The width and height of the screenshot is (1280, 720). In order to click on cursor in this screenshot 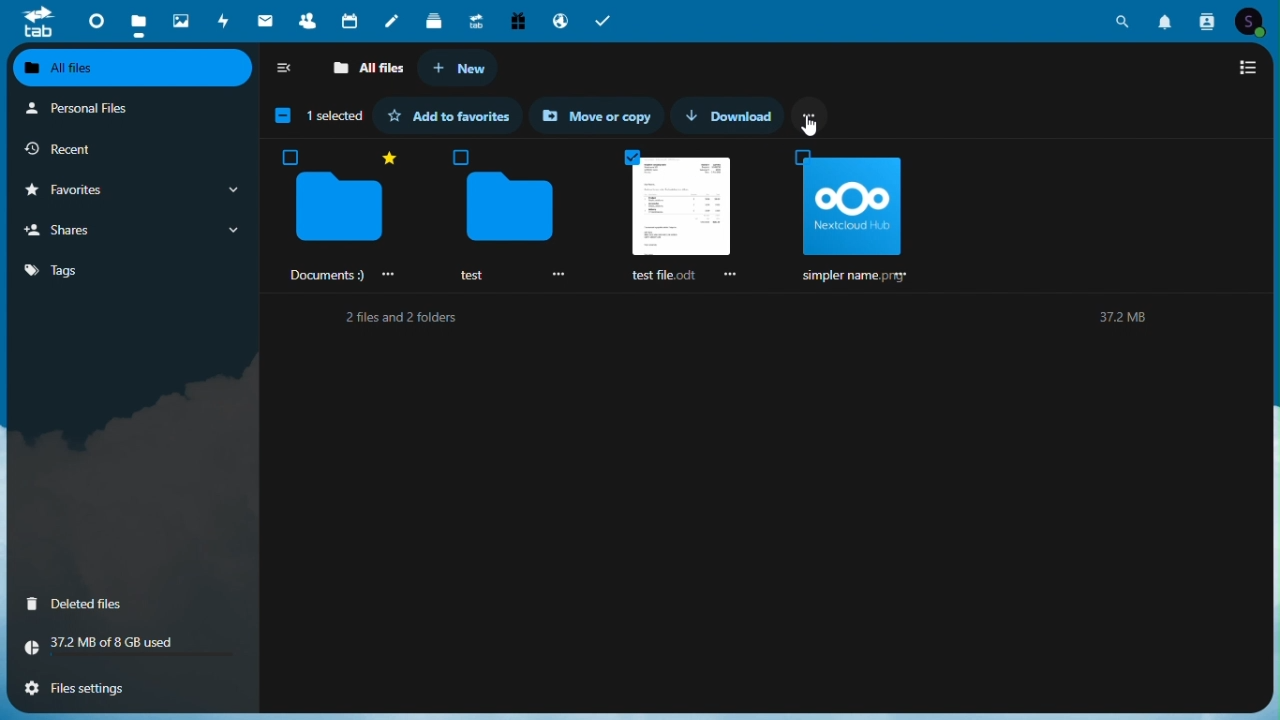, I will do `click(810, 128)`.